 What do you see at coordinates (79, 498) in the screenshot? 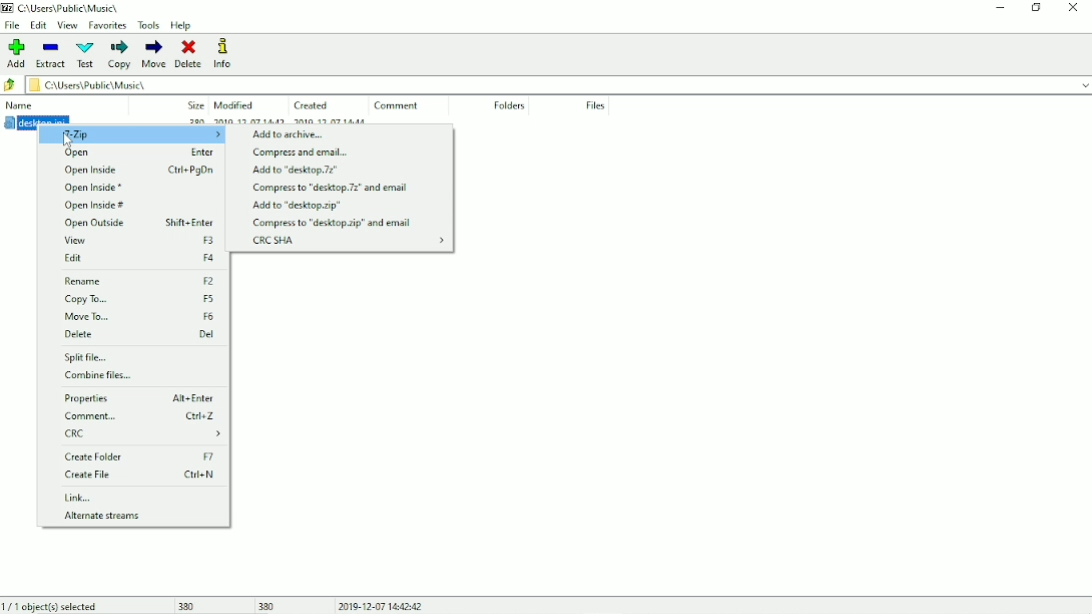
I see `Link` at bounding box center [79, 498].